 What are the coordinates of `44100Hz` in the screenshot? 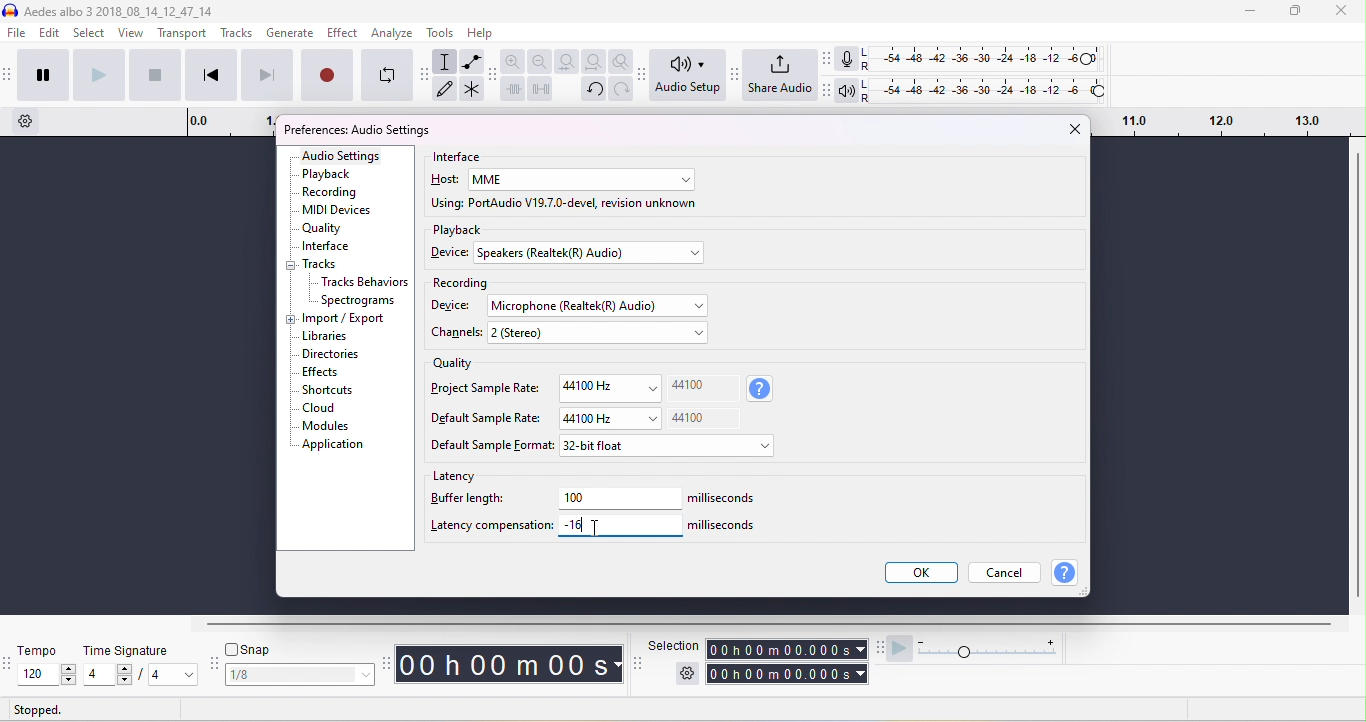 It's located at (608, 388).